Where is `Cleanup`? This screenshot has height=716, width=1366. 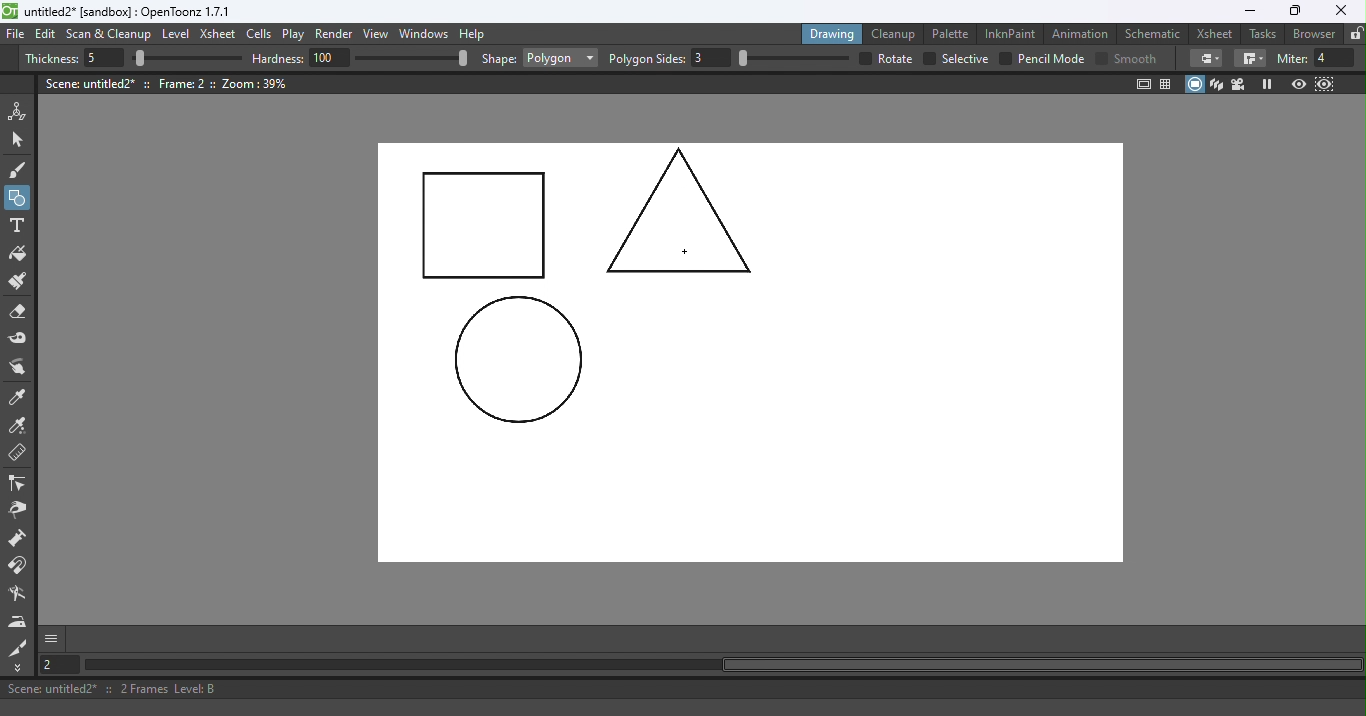
Cleanup is located at coordinates (897, 33).